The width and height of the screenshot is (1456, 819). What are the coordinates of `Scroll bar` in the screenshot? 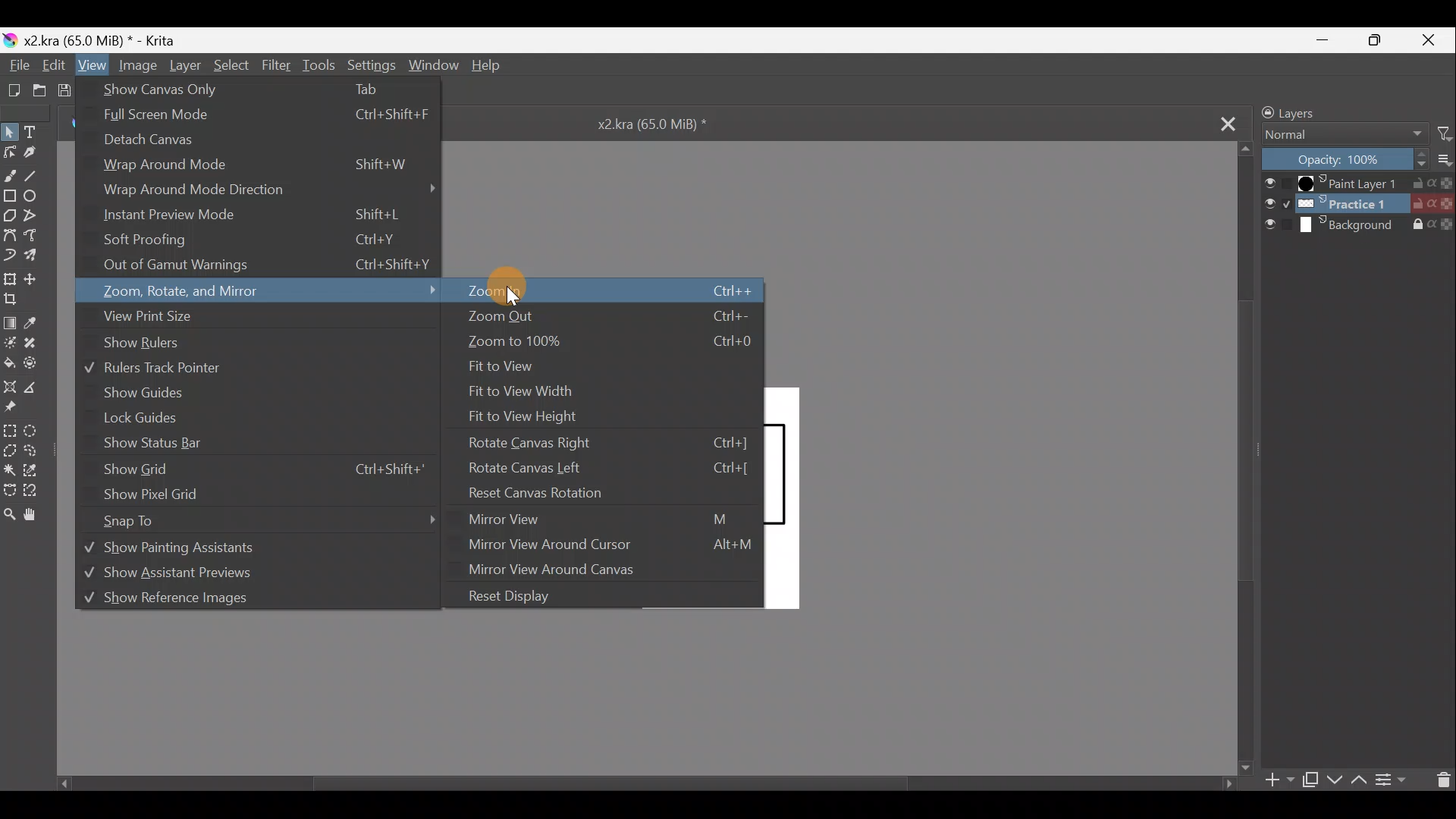 It's located at (1240, 462).